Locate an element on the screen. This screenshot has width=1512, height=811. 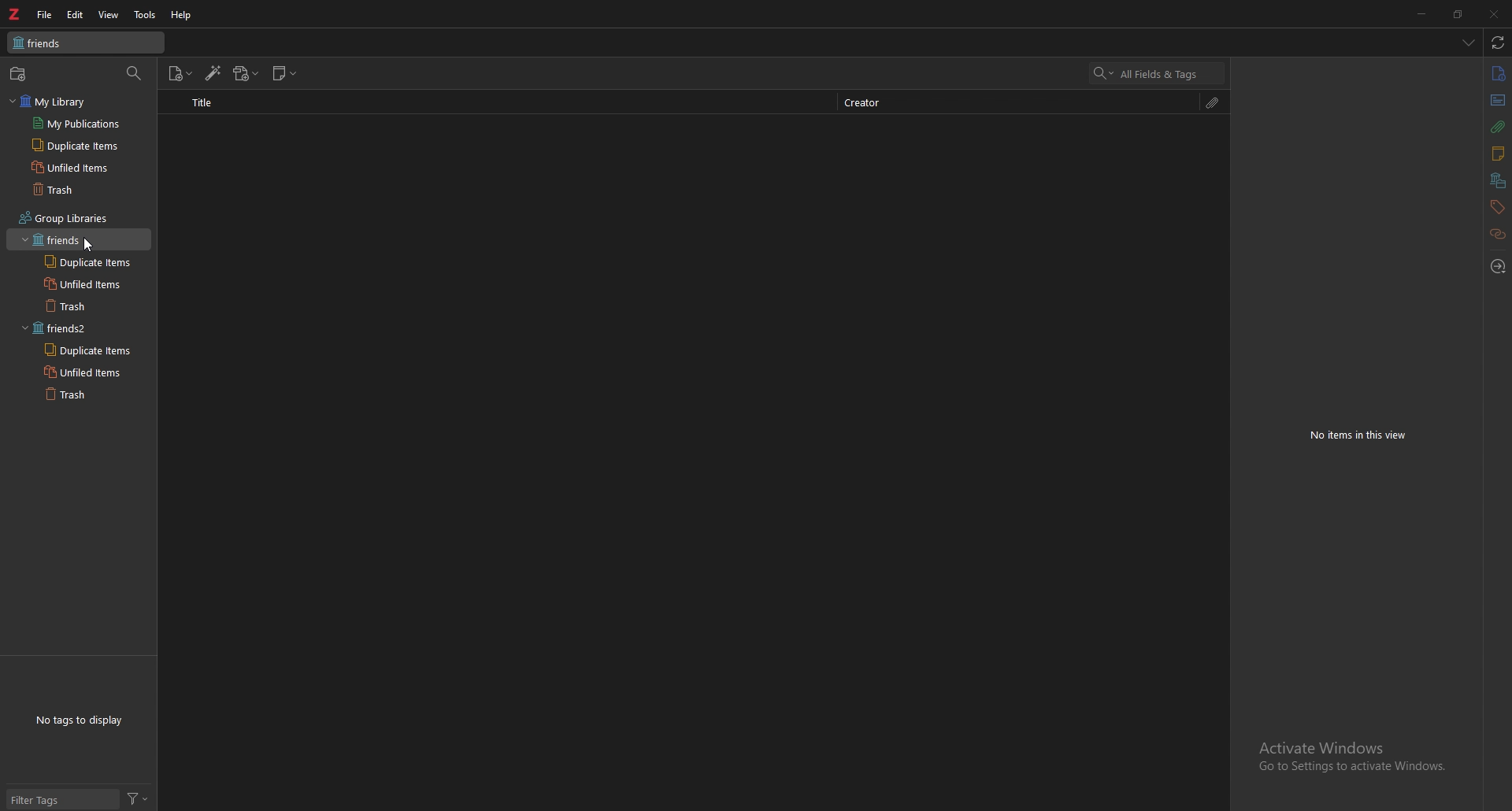
No items in this view is located at coordinates (1362, 435).